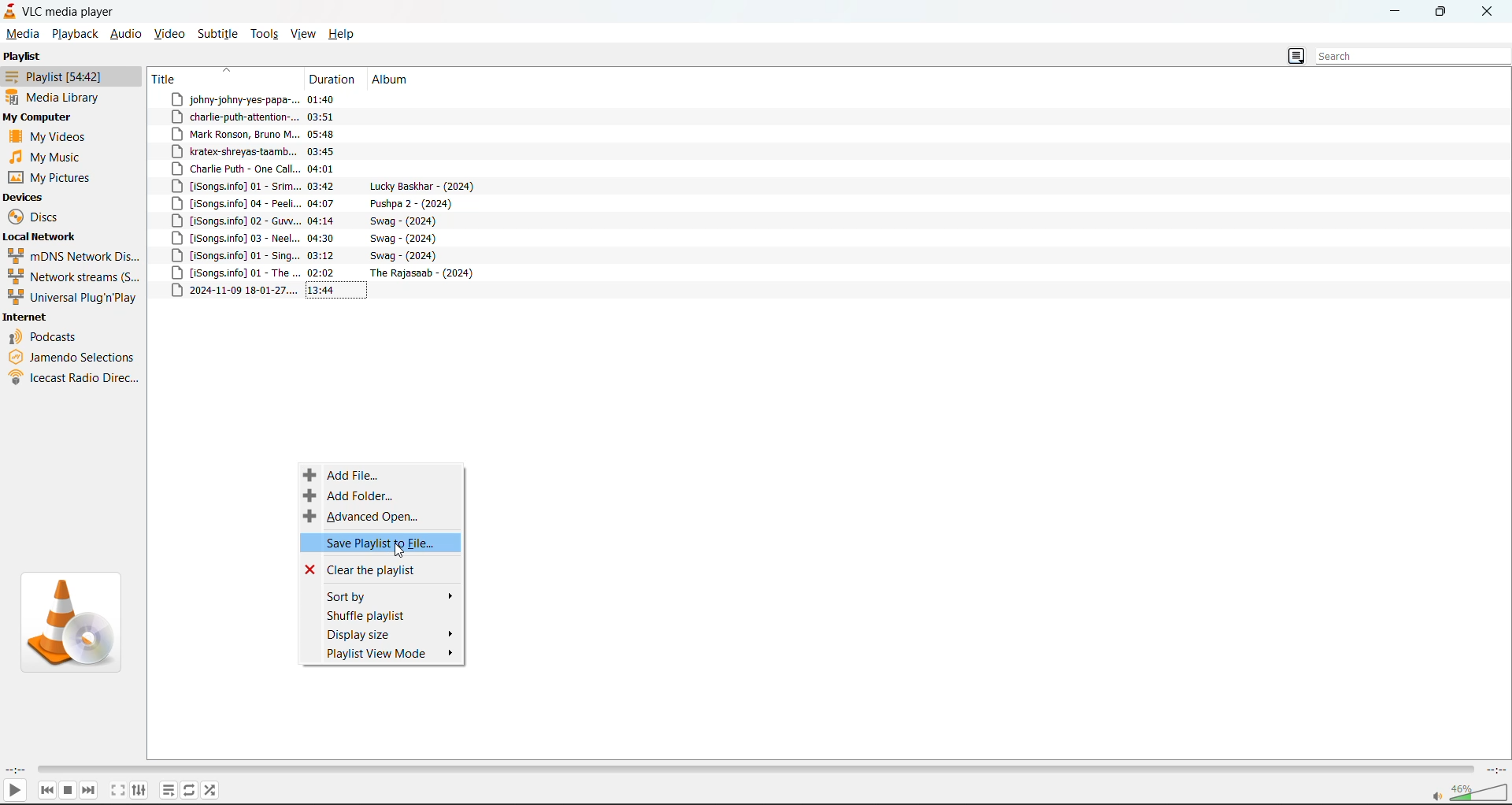 This screenshot has height=805, width=1512. What do you see at coordinates (46, 139) in the screenshot?
I see `videos` at bounding box center [46, 139].